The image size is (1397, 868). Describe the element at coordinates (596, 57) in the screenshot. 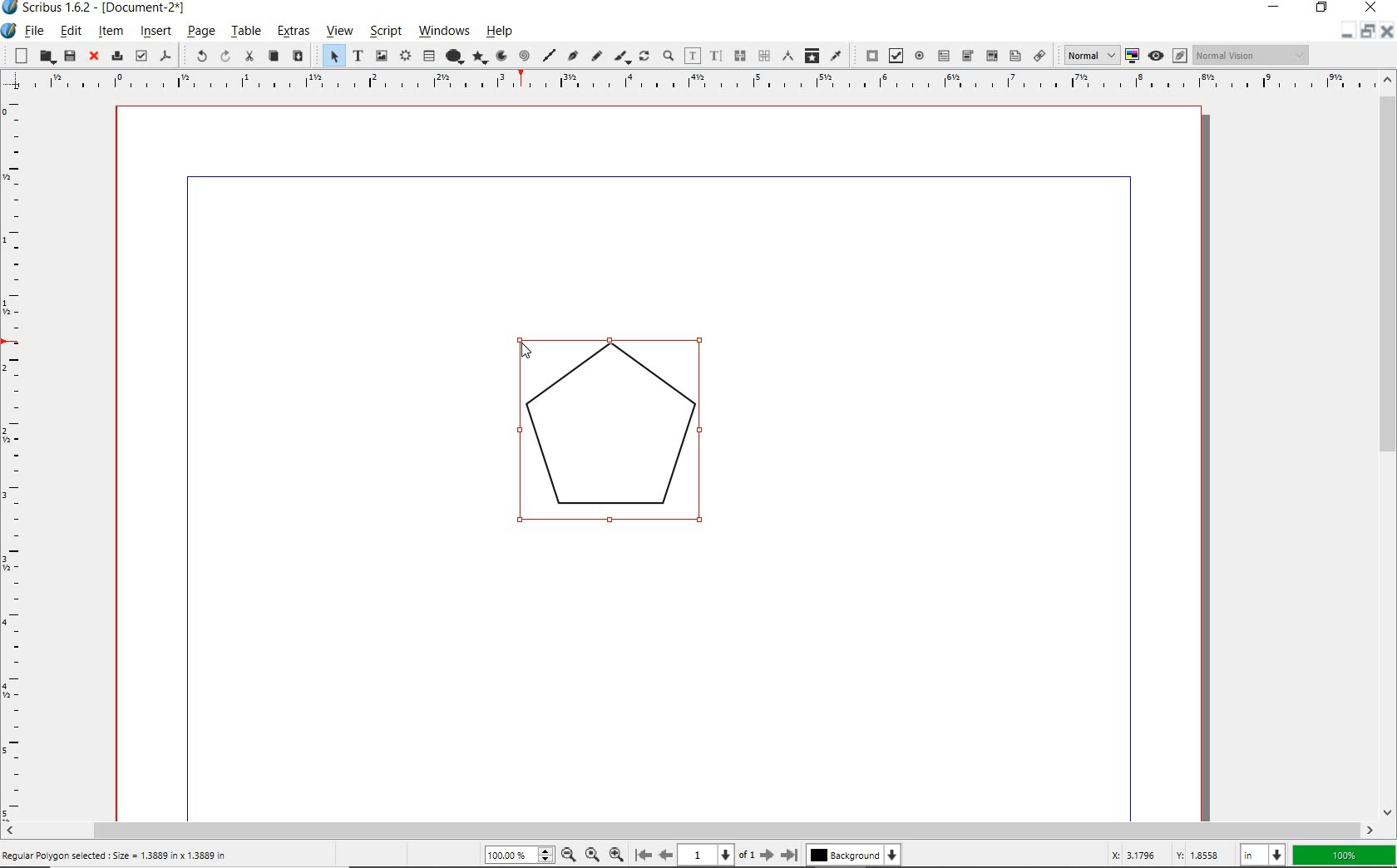

I see `freehand line` at that location.